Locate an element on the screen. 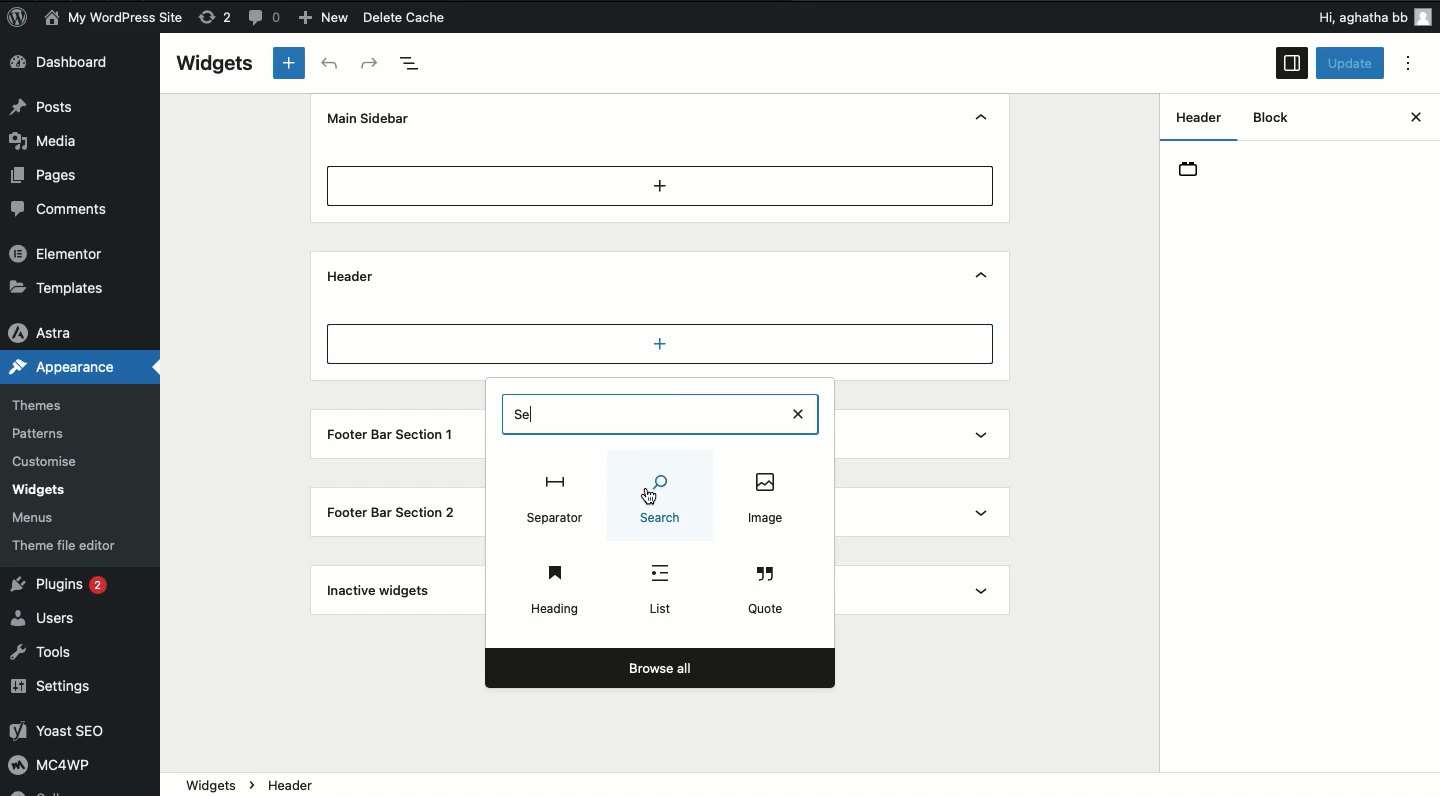 This screenshot has height=796, width=1440. Patterns is located at coordinates (44, 434).